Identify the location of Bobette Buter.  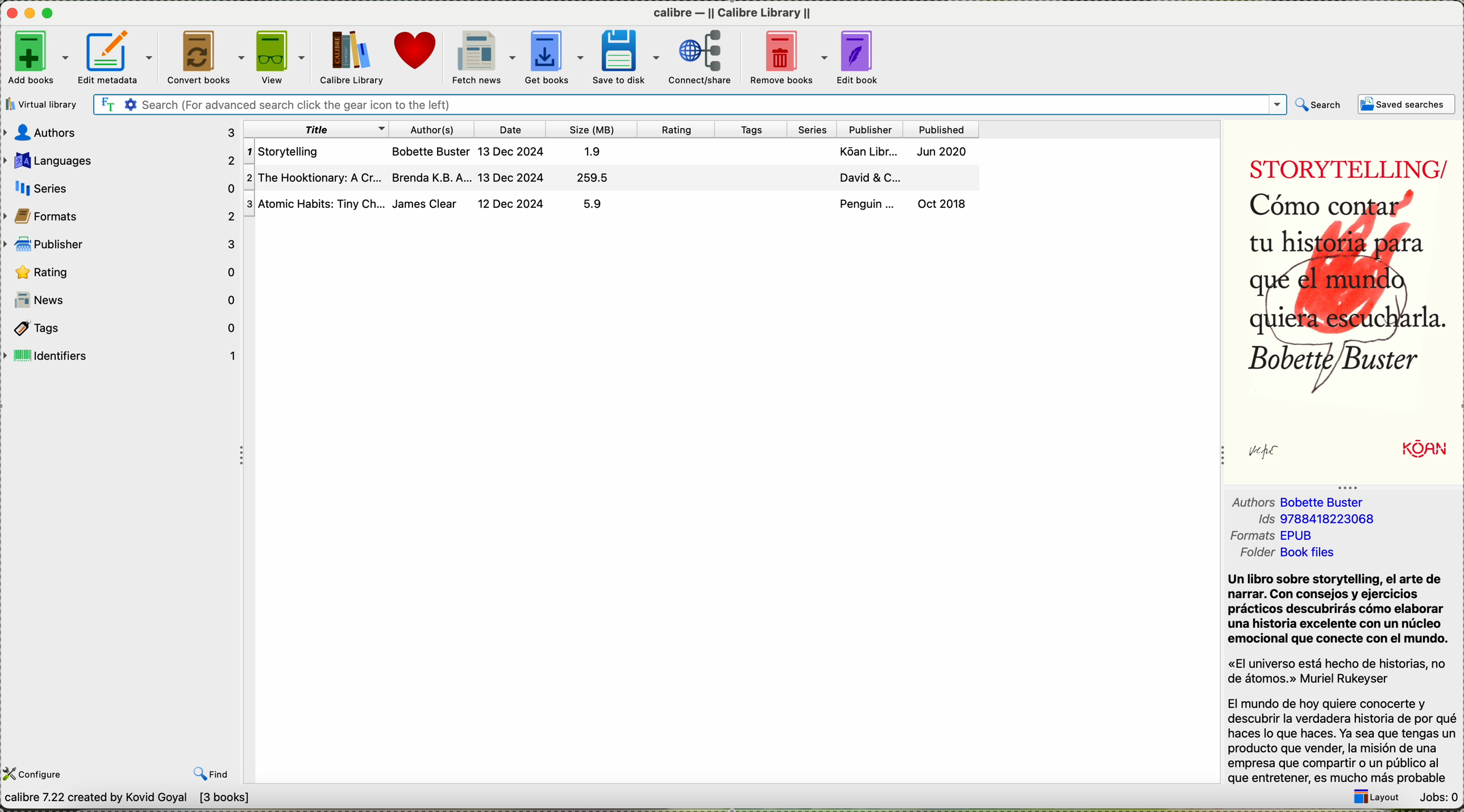
(431, 150).